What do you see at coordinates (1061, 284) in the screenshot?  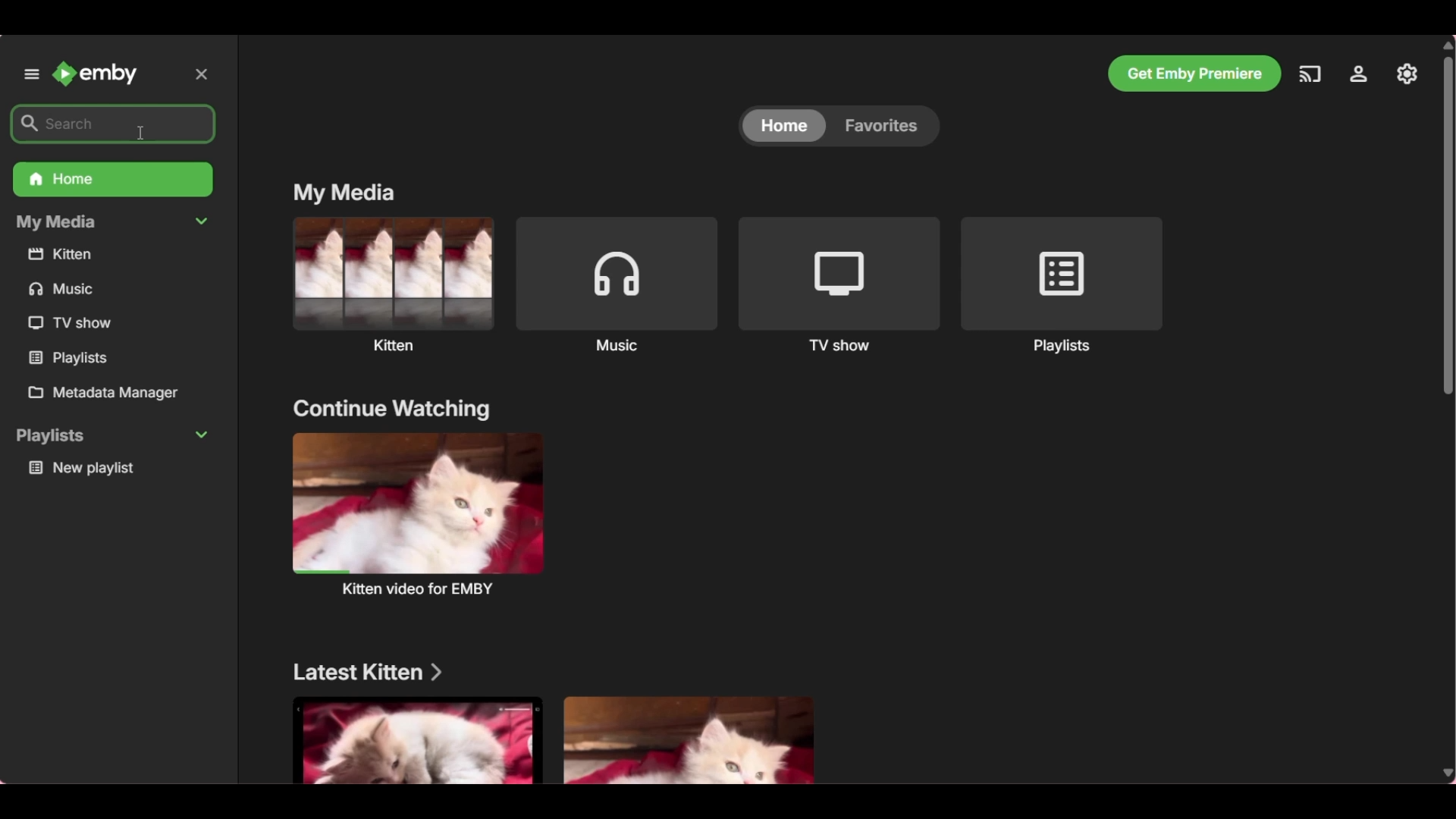 I see `Playlists` at bounding box center [1061, 284].